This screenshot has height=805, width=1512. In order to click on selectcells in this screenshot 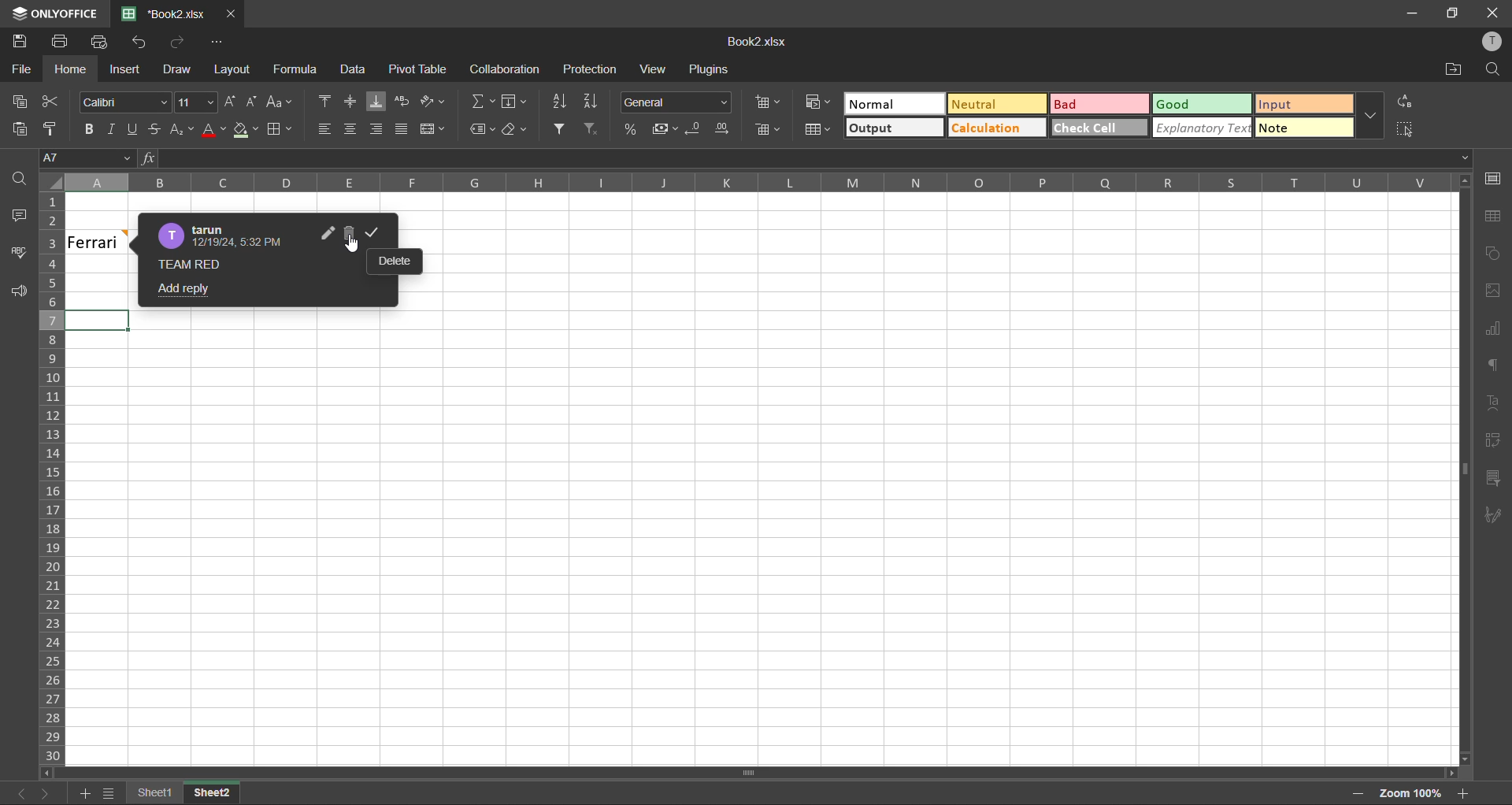, I will do `click(1404, 129)`.